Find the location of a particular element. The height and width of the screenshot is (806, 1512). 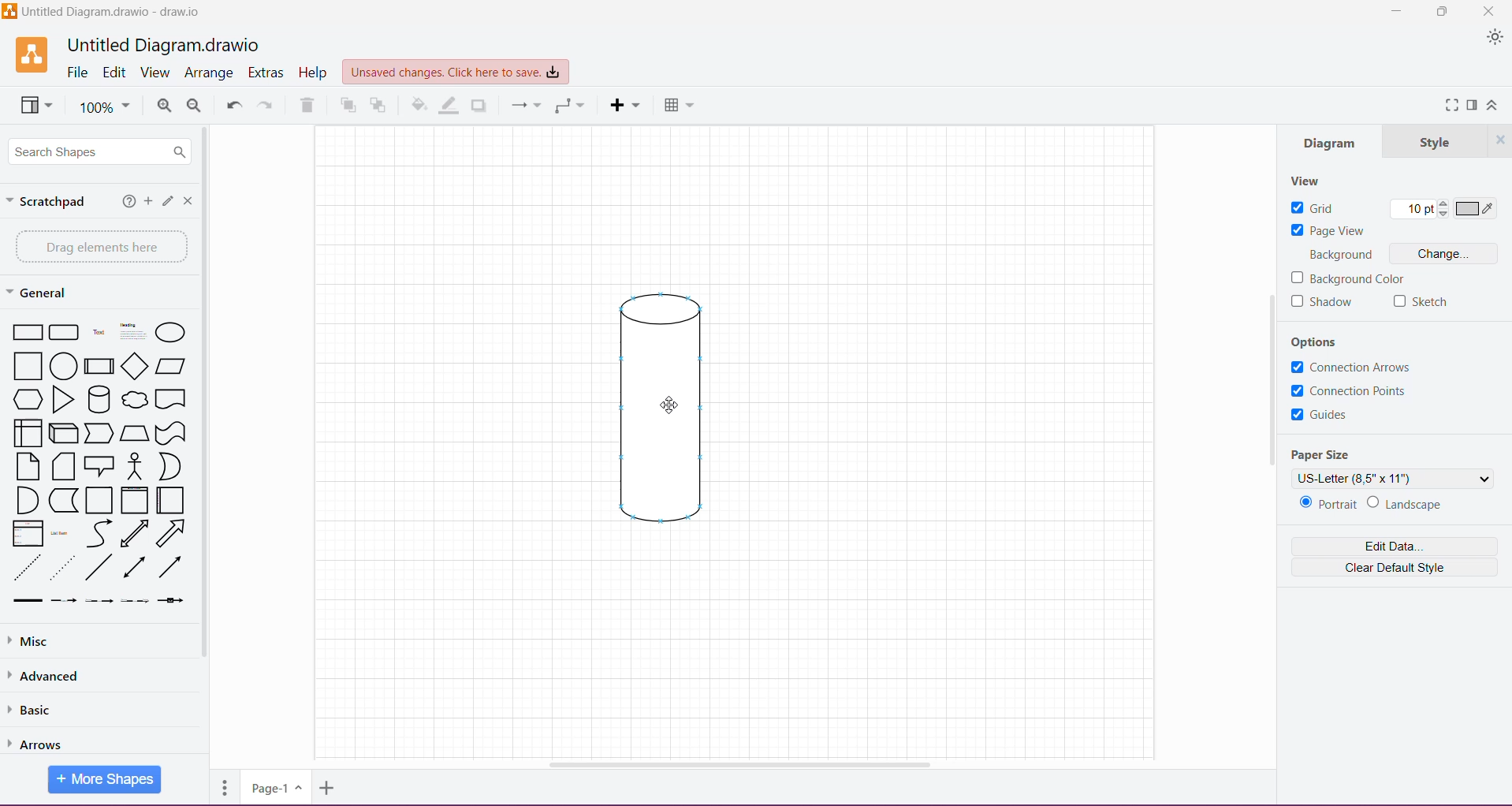

To Back is located at coordinates (382, 105).